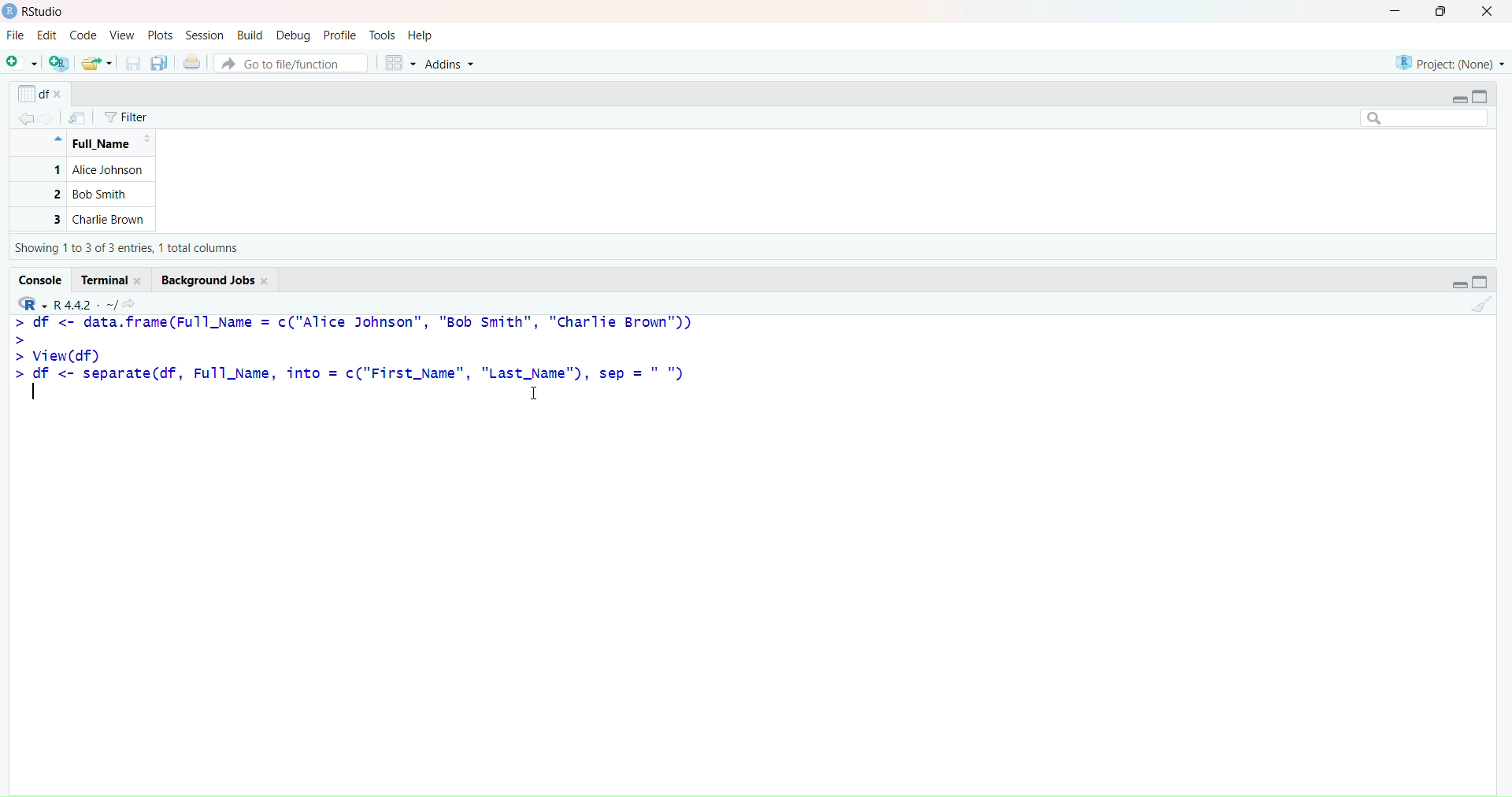 This screenshot has height=797, width=1512. Describe the element at coordinates (40, 91) in the screenshot. I see `df` at that location.